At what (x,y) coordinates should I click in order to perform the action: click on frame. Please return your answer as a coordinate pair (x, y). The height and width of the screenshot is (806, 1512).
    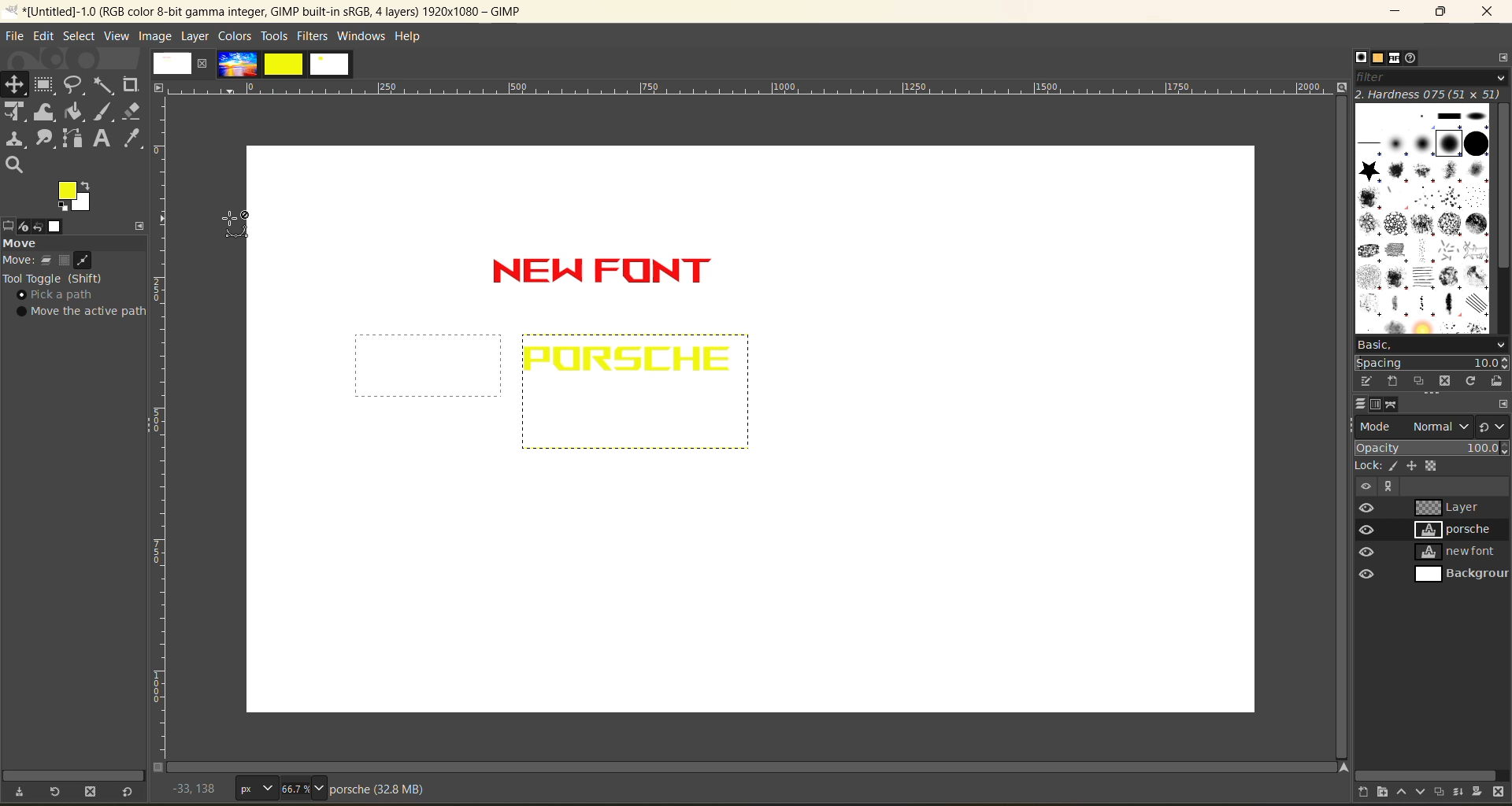
    Looking at the image, I should click on (46, 87).